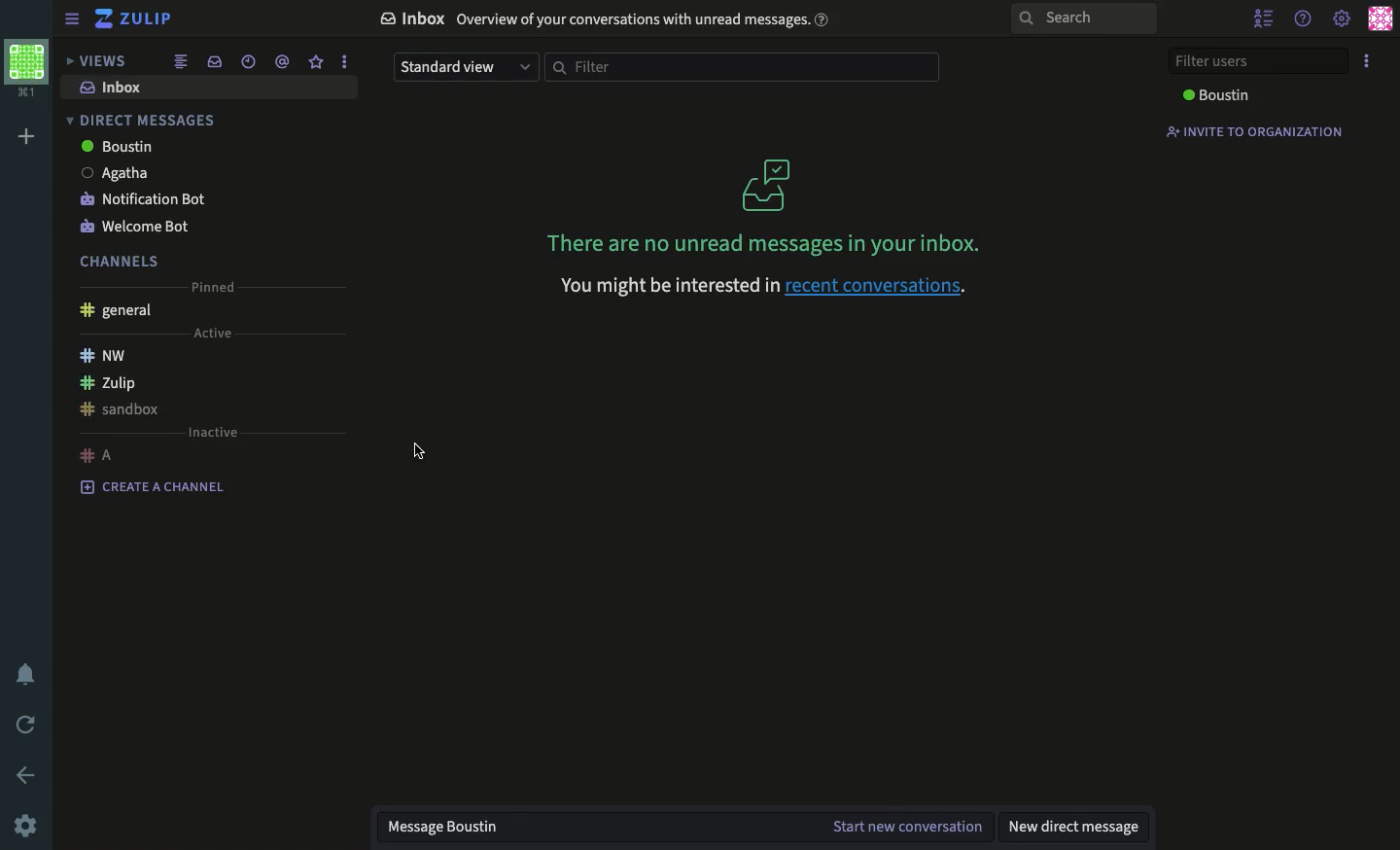  I want to click on Zulip, so click(104, 381).